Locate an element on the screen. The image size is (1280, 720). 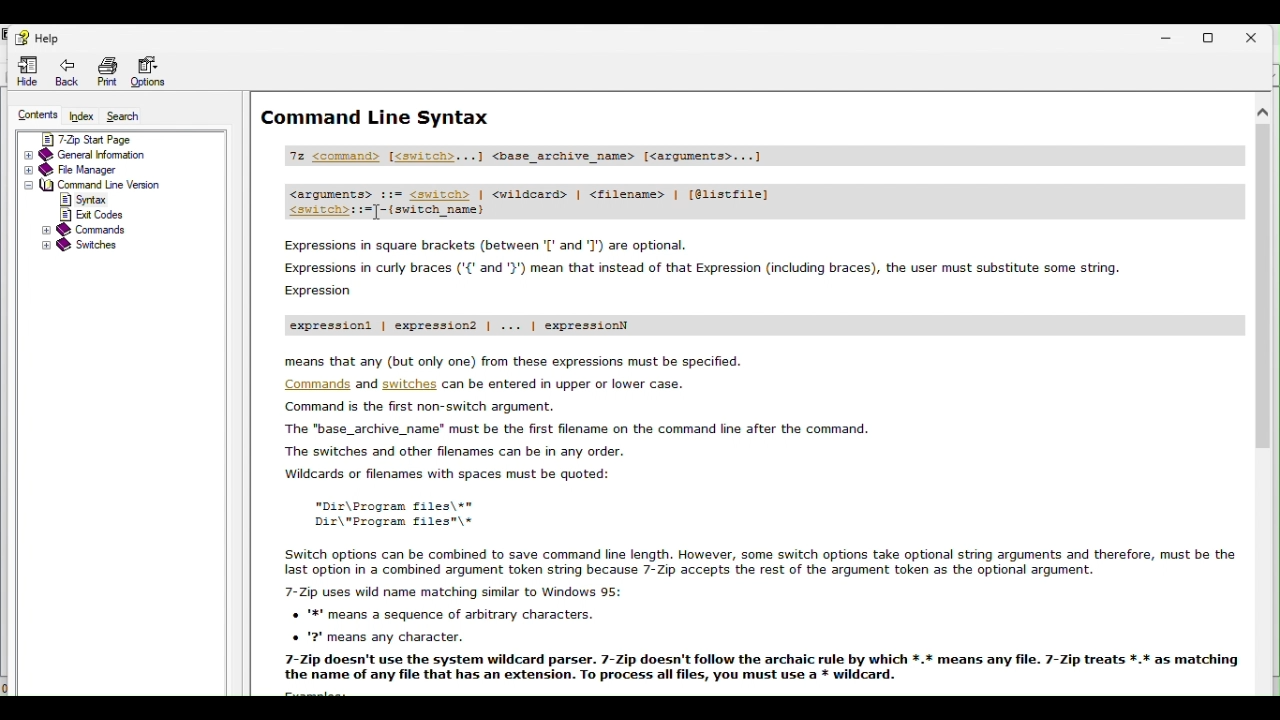
help page guide text is located at coordinates (715, 304).